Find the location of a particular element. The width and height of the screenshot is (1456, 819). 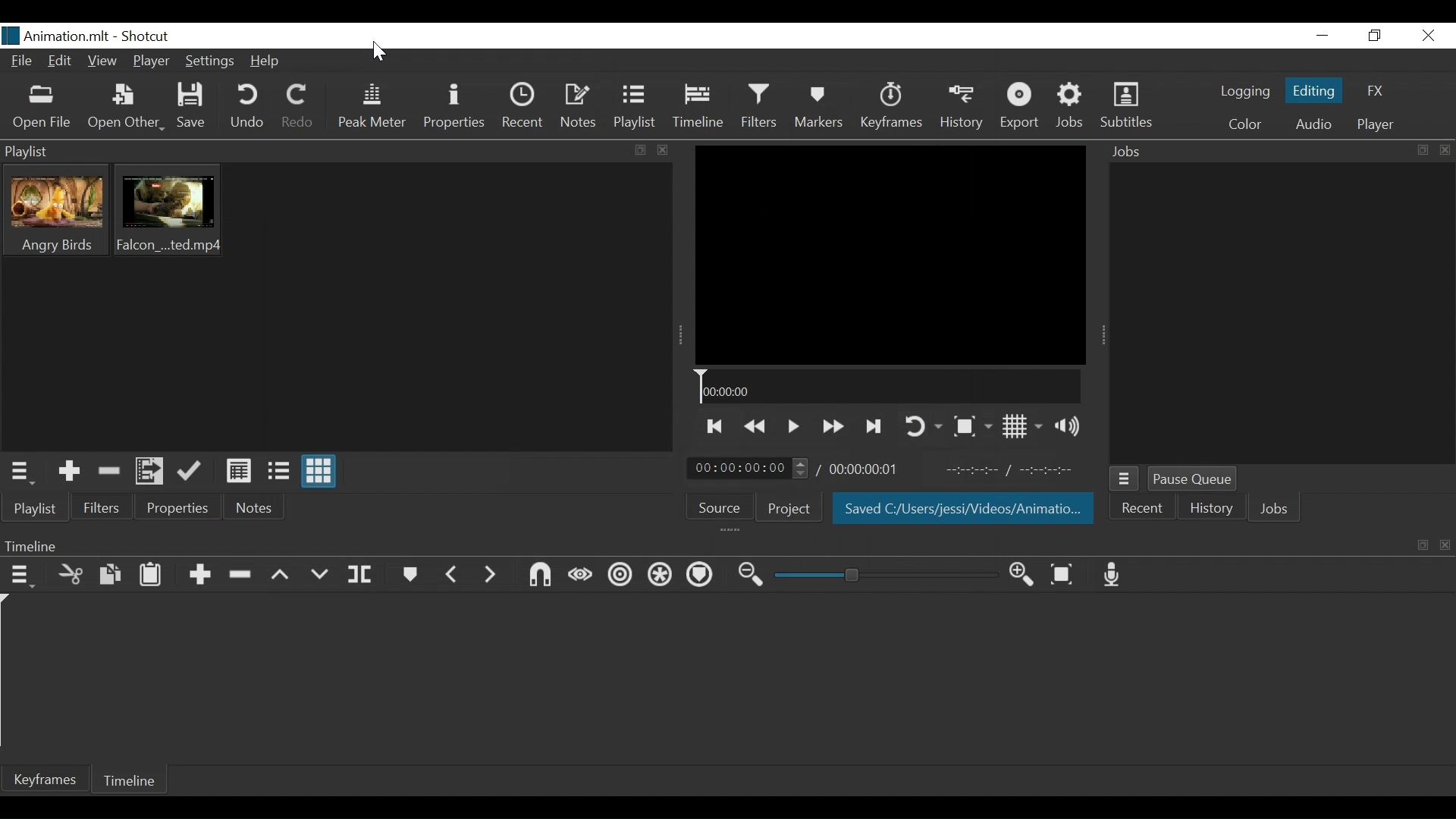

Zoom timeline to fit is located at coordinates (1067, 575).